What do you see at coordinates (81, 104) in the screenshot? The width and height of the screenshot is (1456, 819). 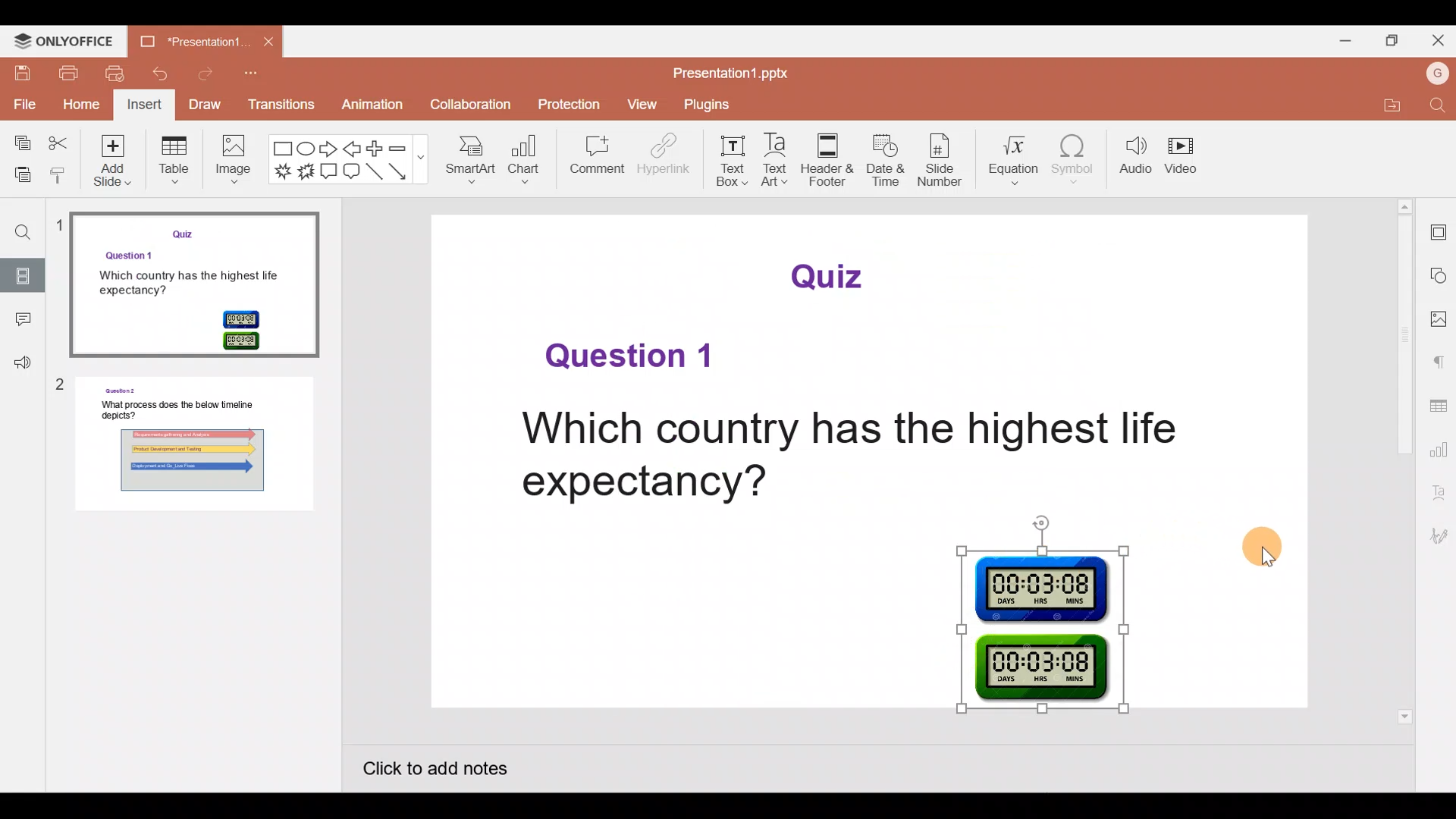 I see `Home` at bounding box center [81, 104].